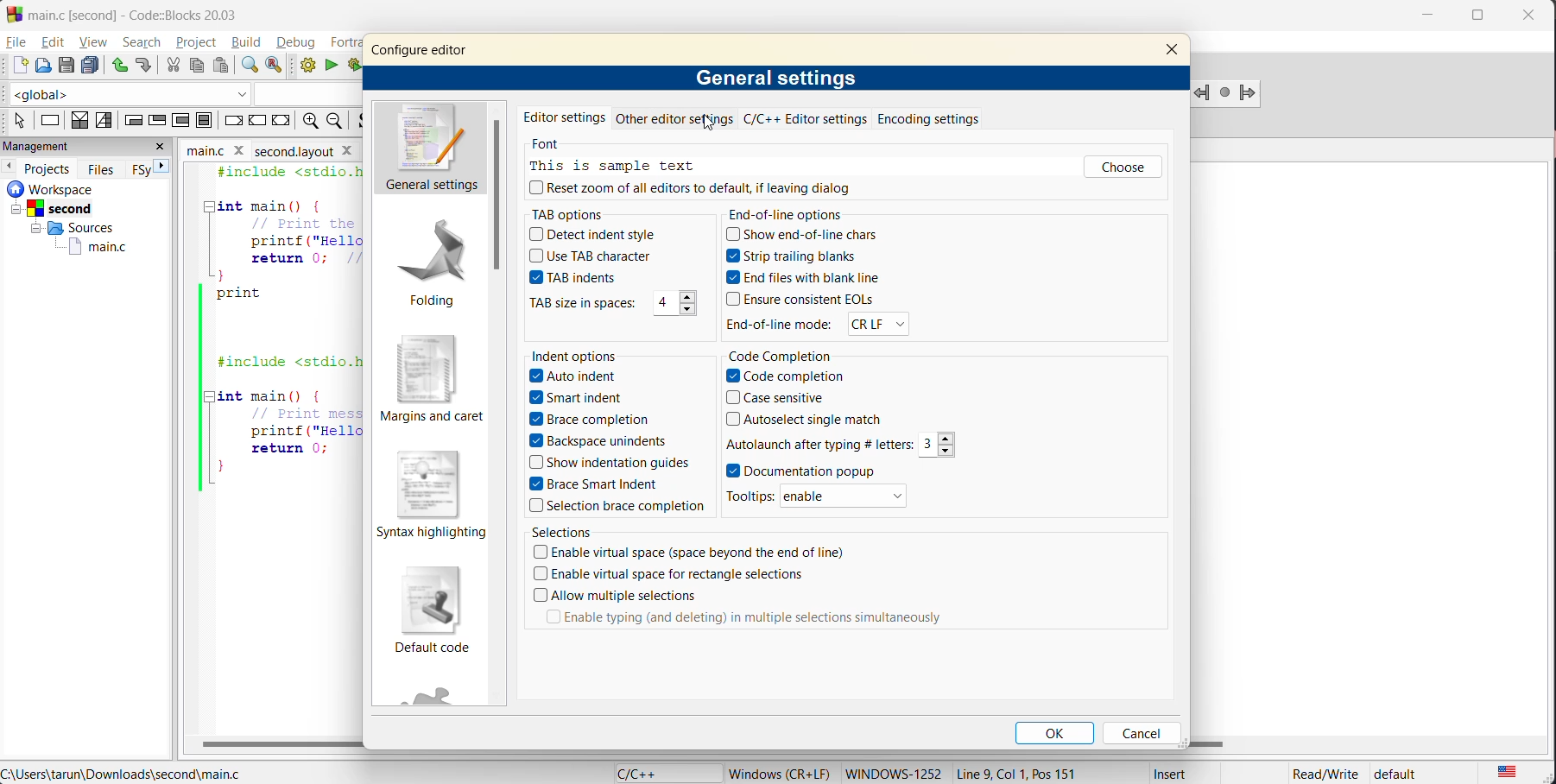 The width and height of the screenshot is (1556, 784). What do you see at coordinates (52, 167) in the screenshot?
I see `projects` at bounding box center [52, 167].